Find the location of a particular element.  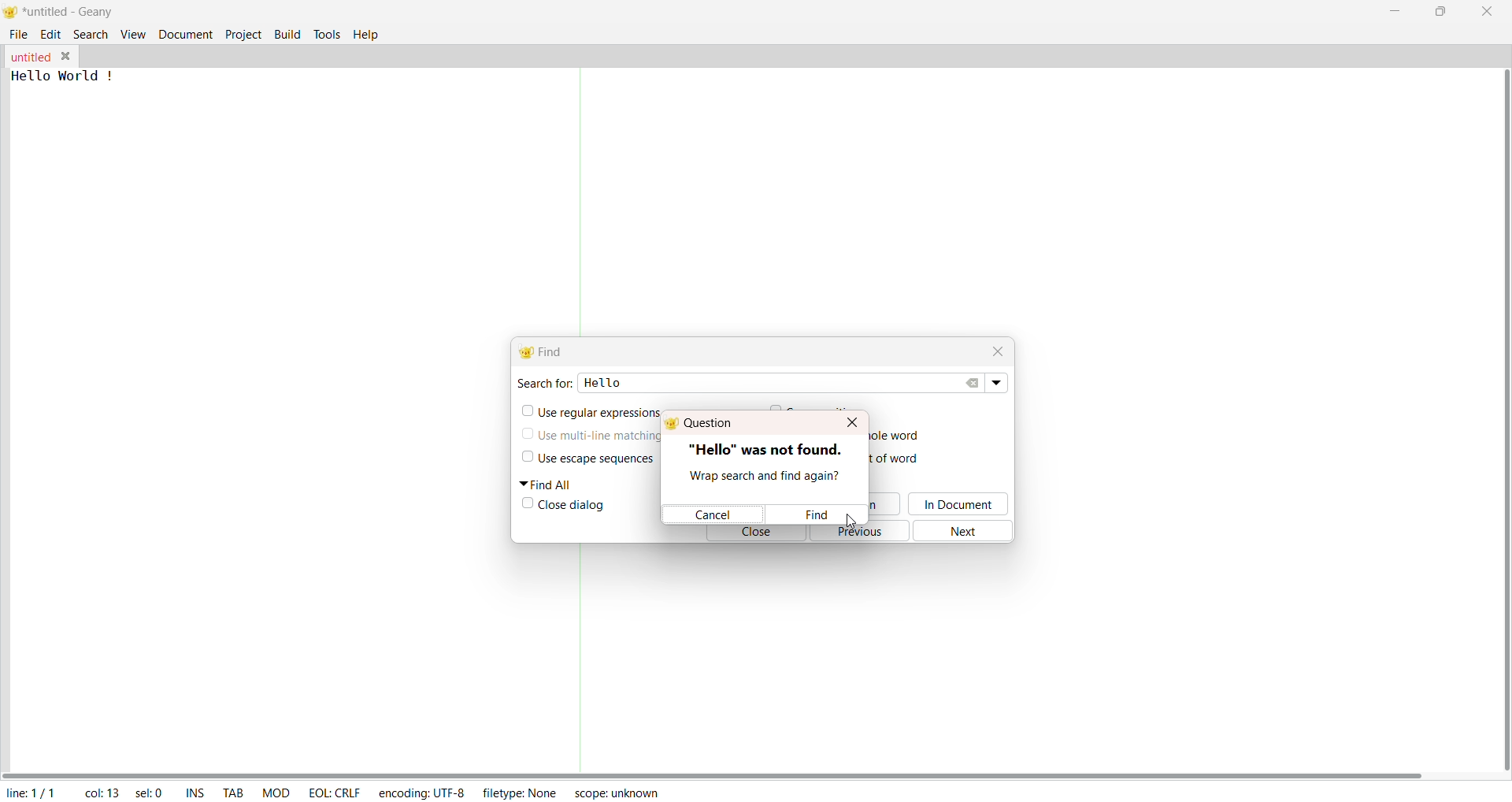

Help is located at coordinates (368, 34).